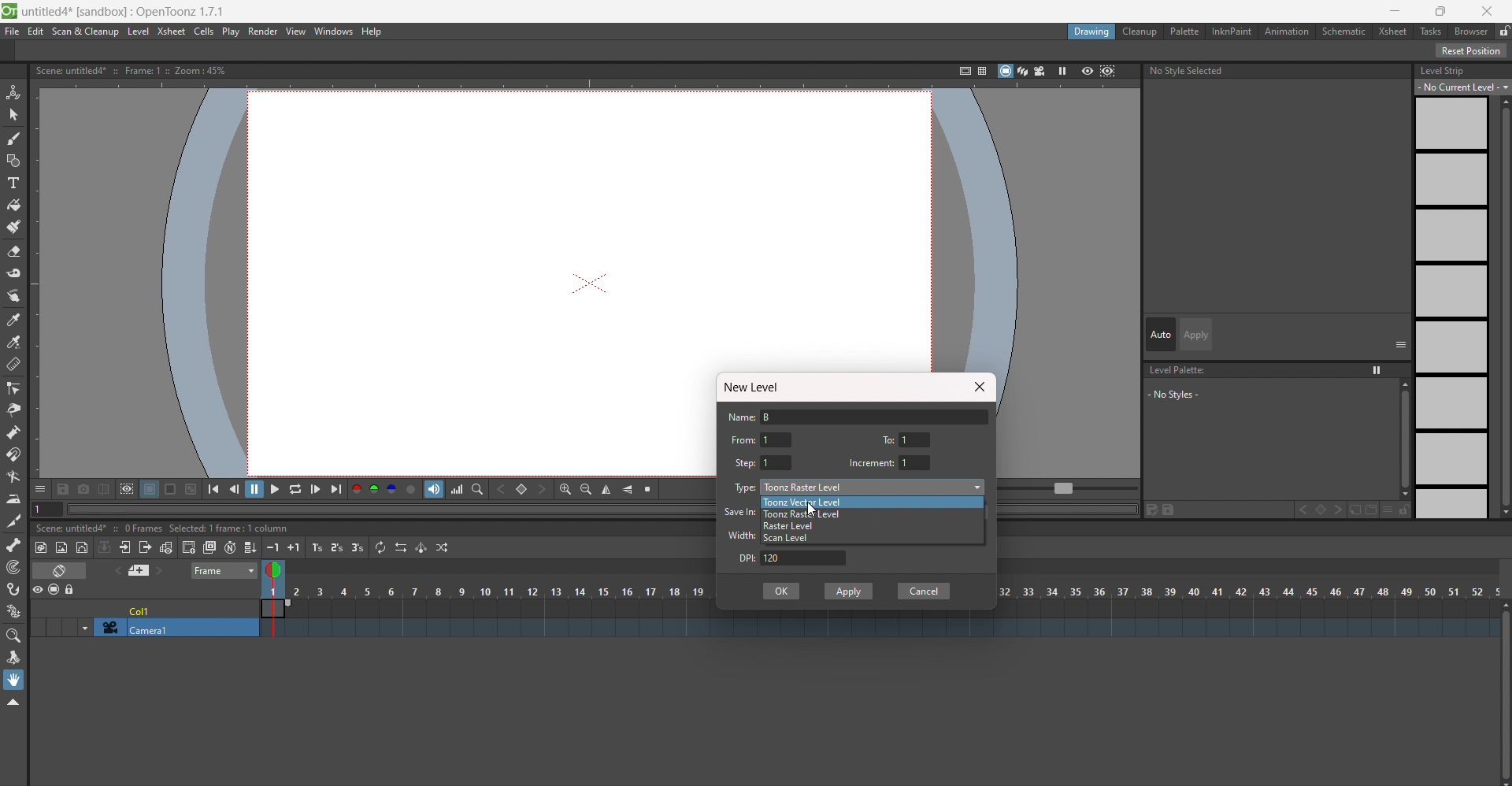 Image resolution: width=1512 pixels, height=786 pixels. Describe the element at coordinates (400, 547) in the screenshot. I see `reverse` at that location.